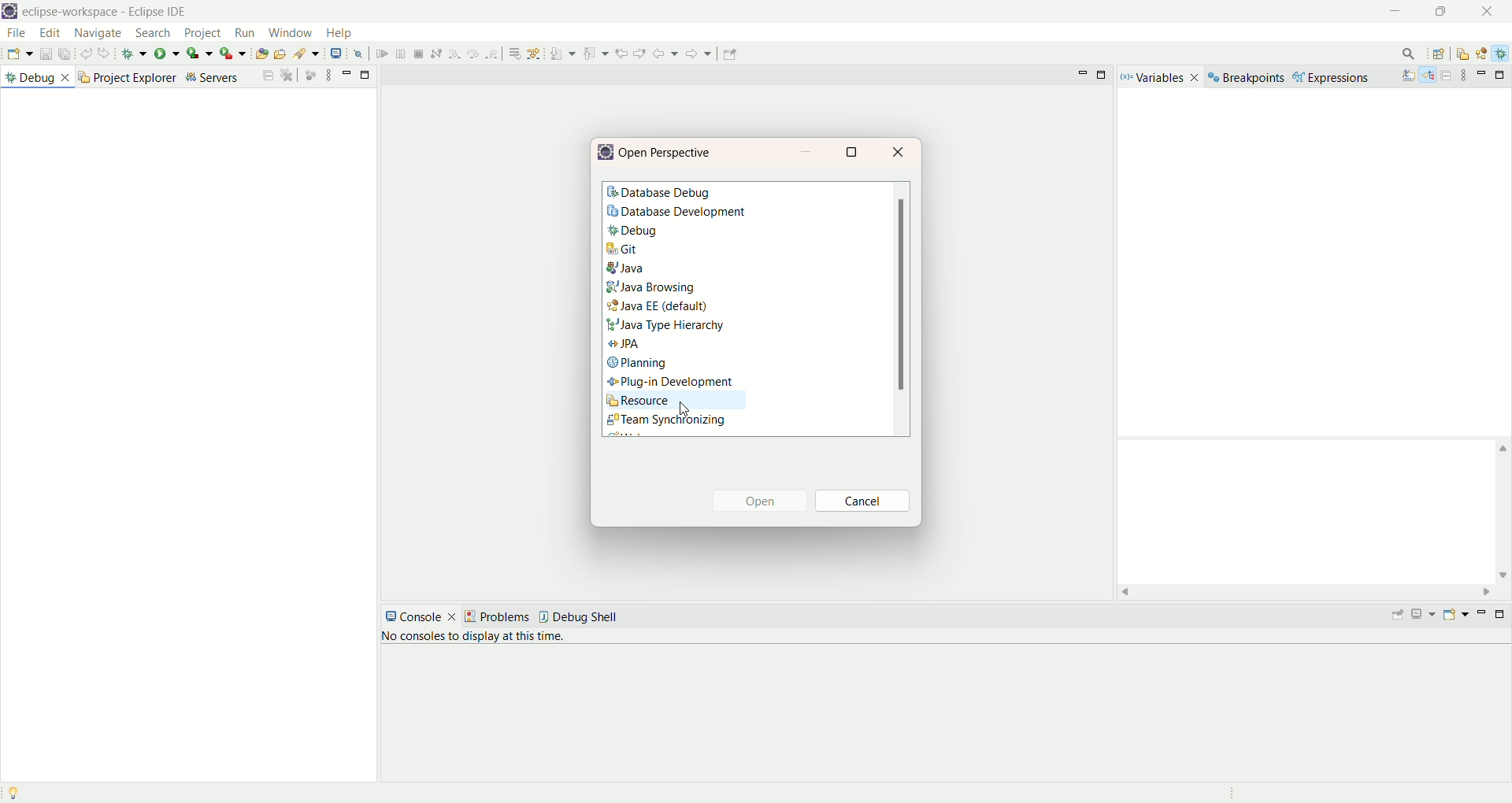 This screenshot has height=803, width=1512. What do you see at coordinates (470, 638) in the screenshot?
I see `no console to display at the time` at bounding box center [470, 638].